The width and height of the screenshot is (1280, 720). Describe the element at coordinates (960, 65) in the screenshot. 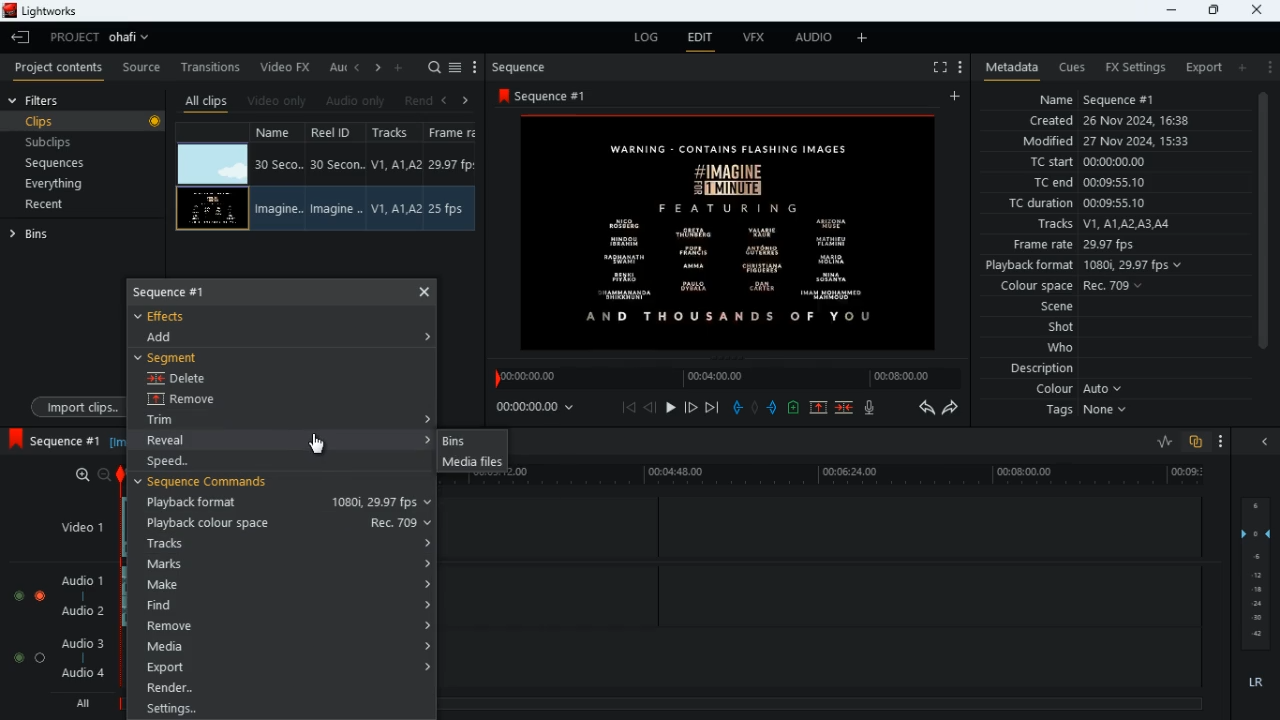

I see `menu` at that location.